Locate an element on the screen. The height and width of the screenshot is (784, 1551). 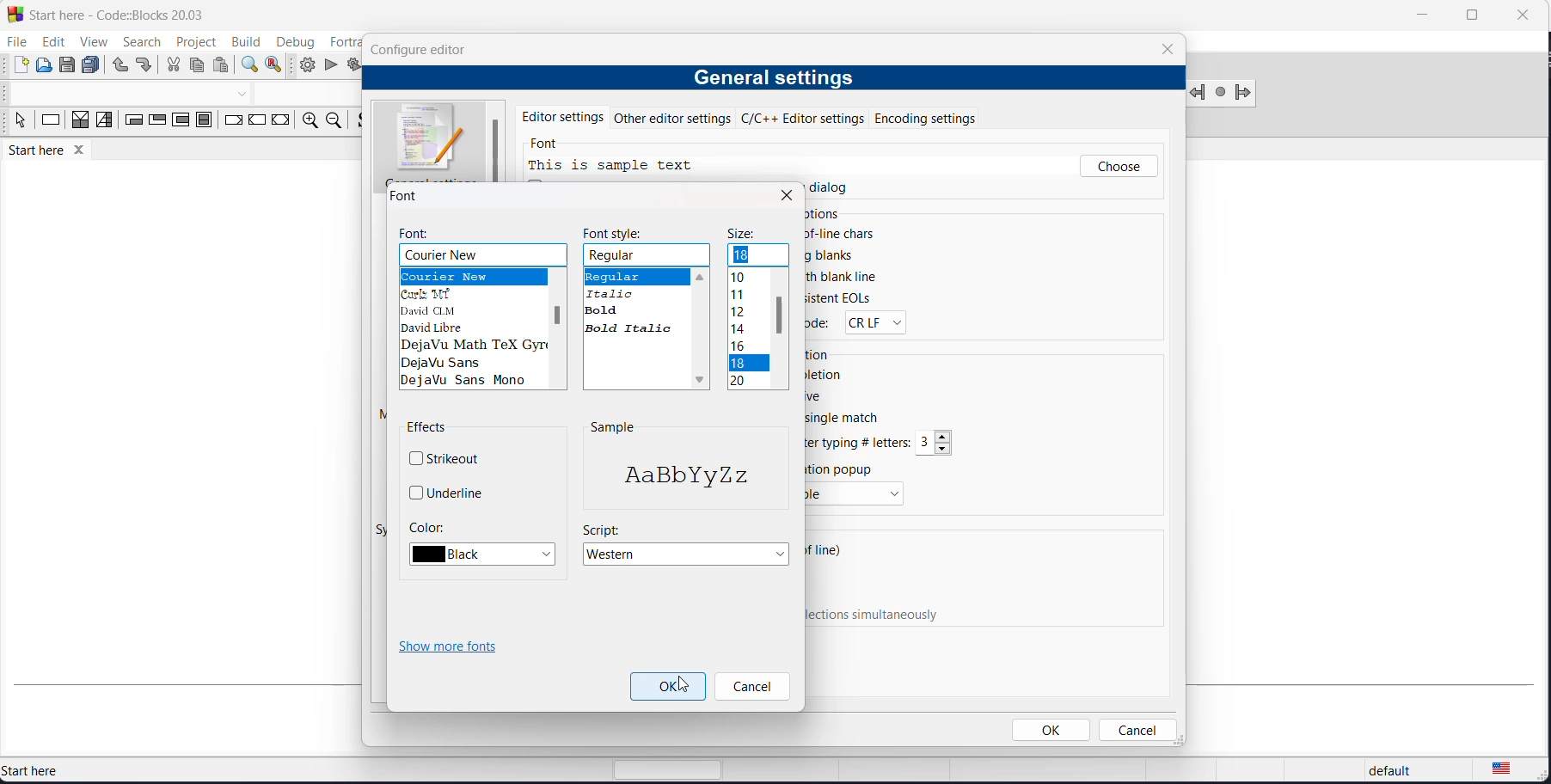
open is located at coordinates (45, 66).